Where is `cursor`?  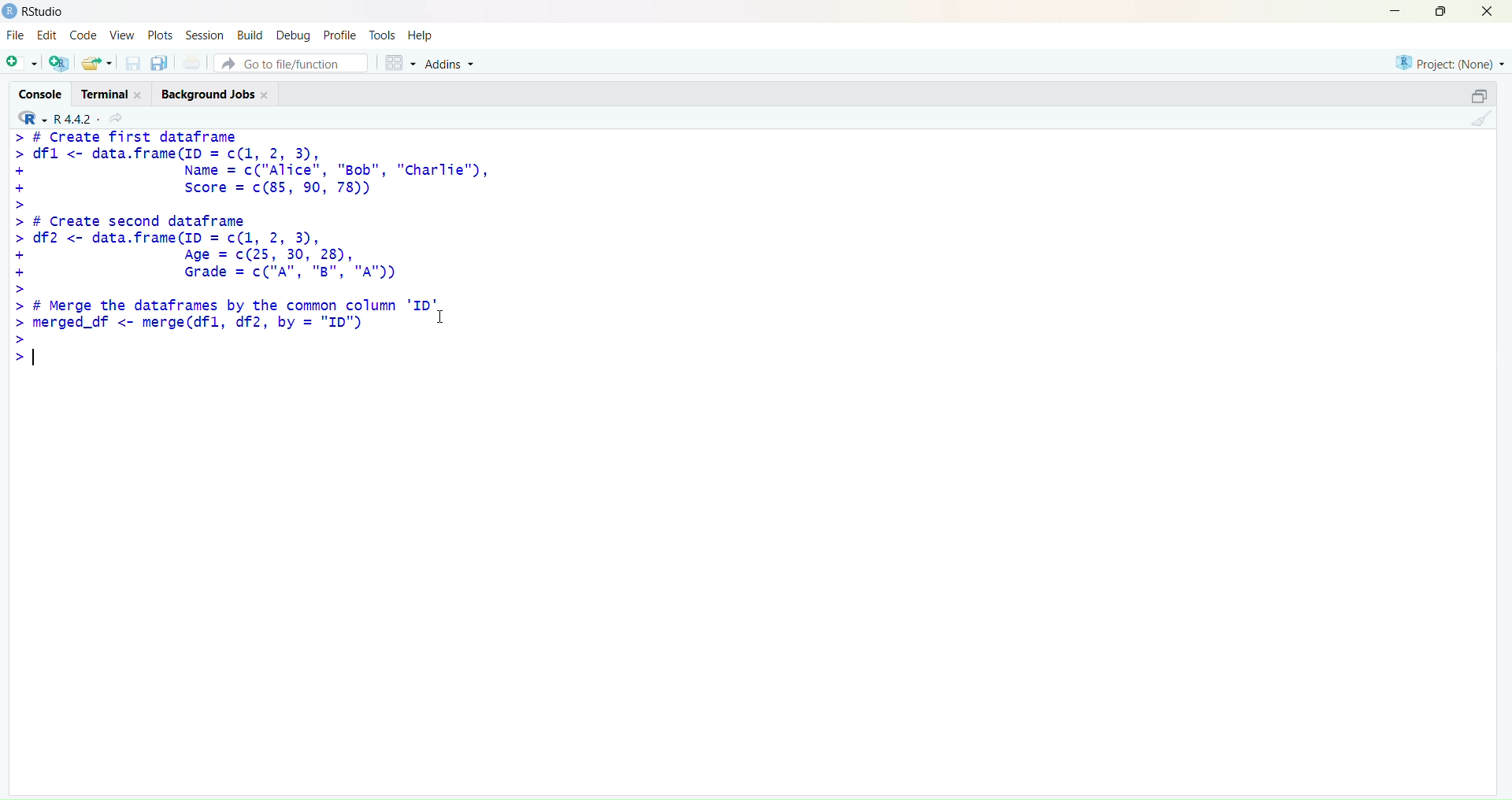
cursor is located at coordinates (441, 317).